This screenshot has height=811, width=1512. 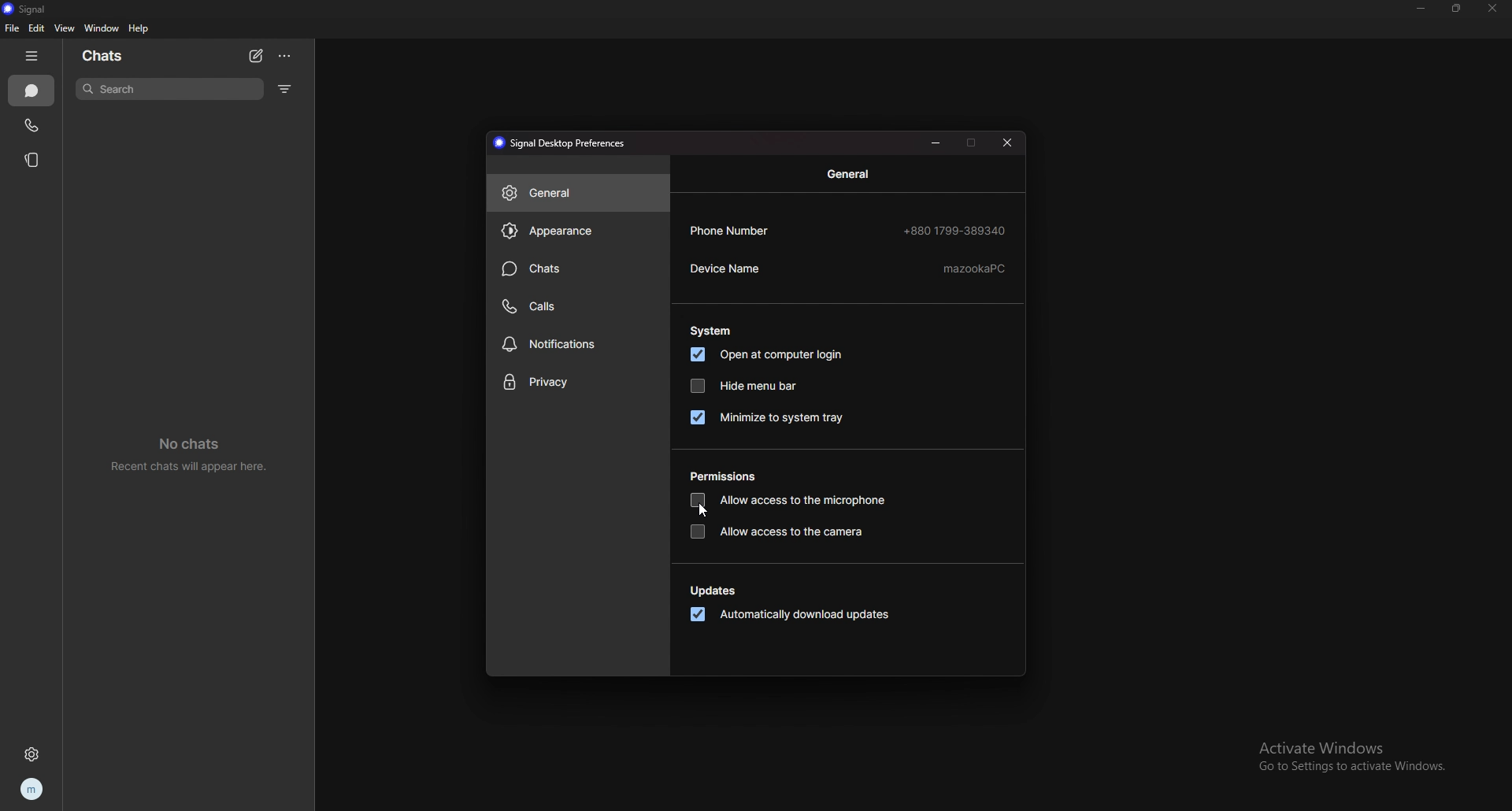 I want to click on chats, so click(x=122, y=54).